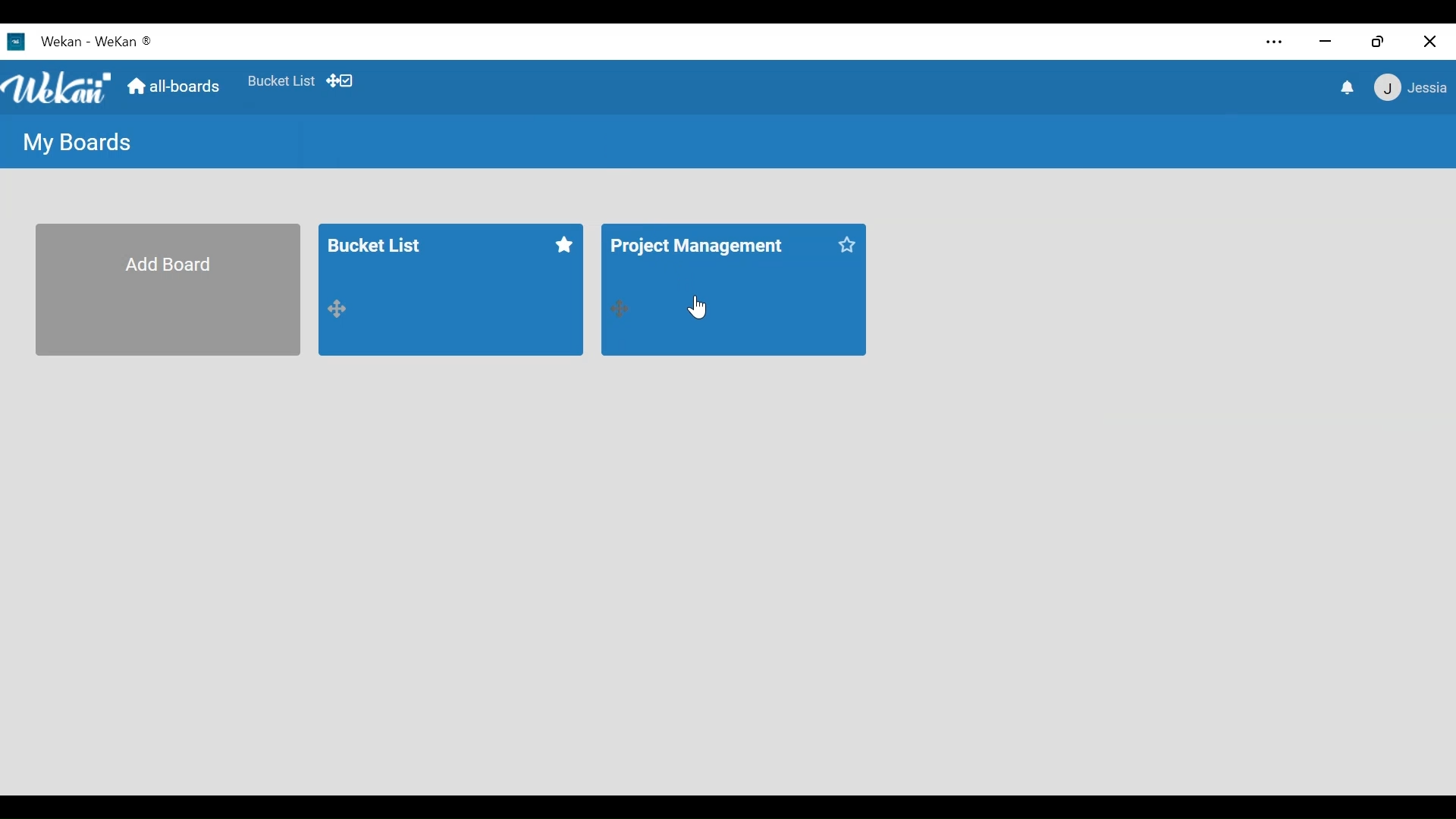 This screenshot has height=819, width=1456. I want to click on Settings and more, so click(1275, 43).